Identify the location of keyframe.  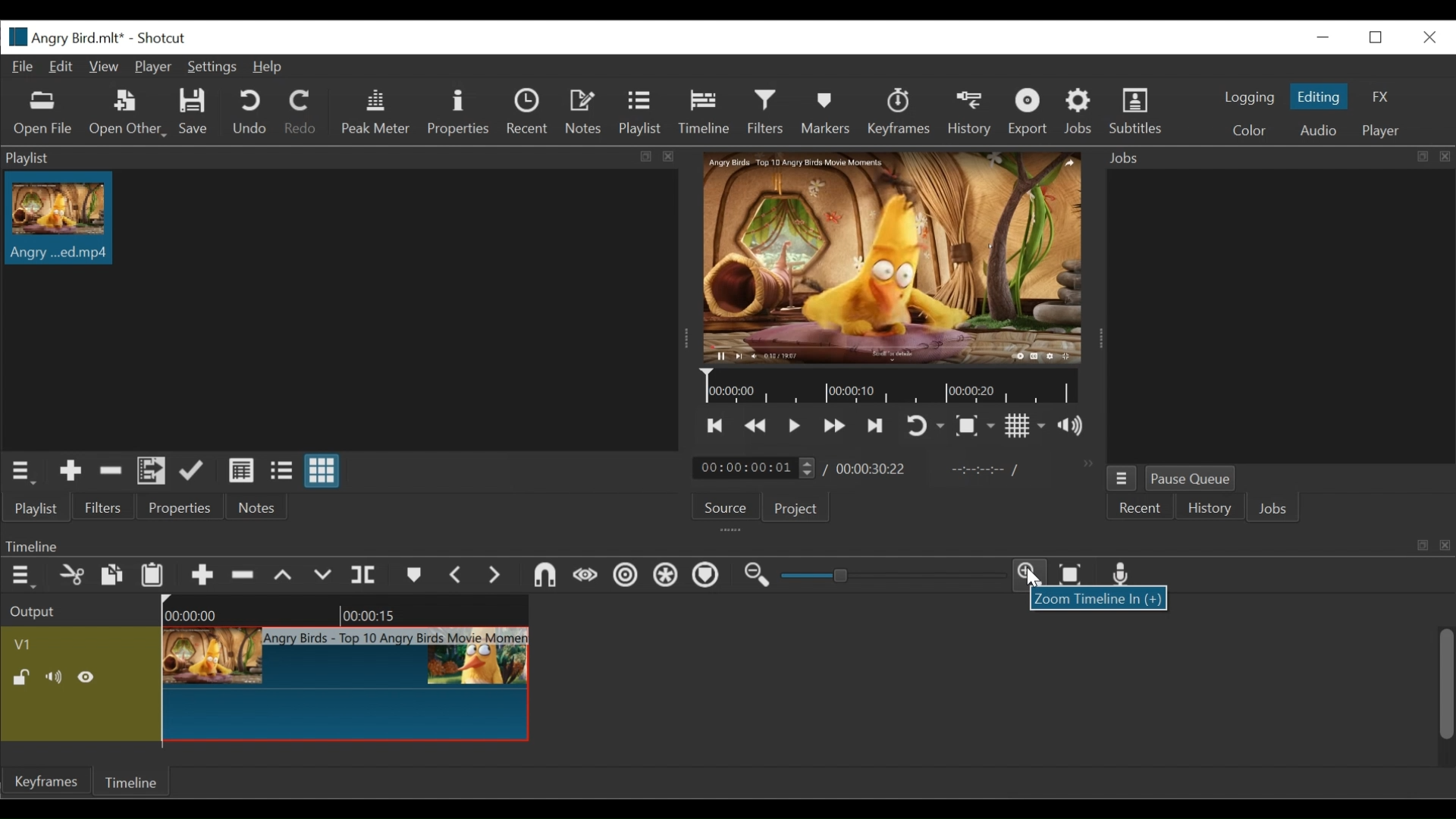
(49, 783).